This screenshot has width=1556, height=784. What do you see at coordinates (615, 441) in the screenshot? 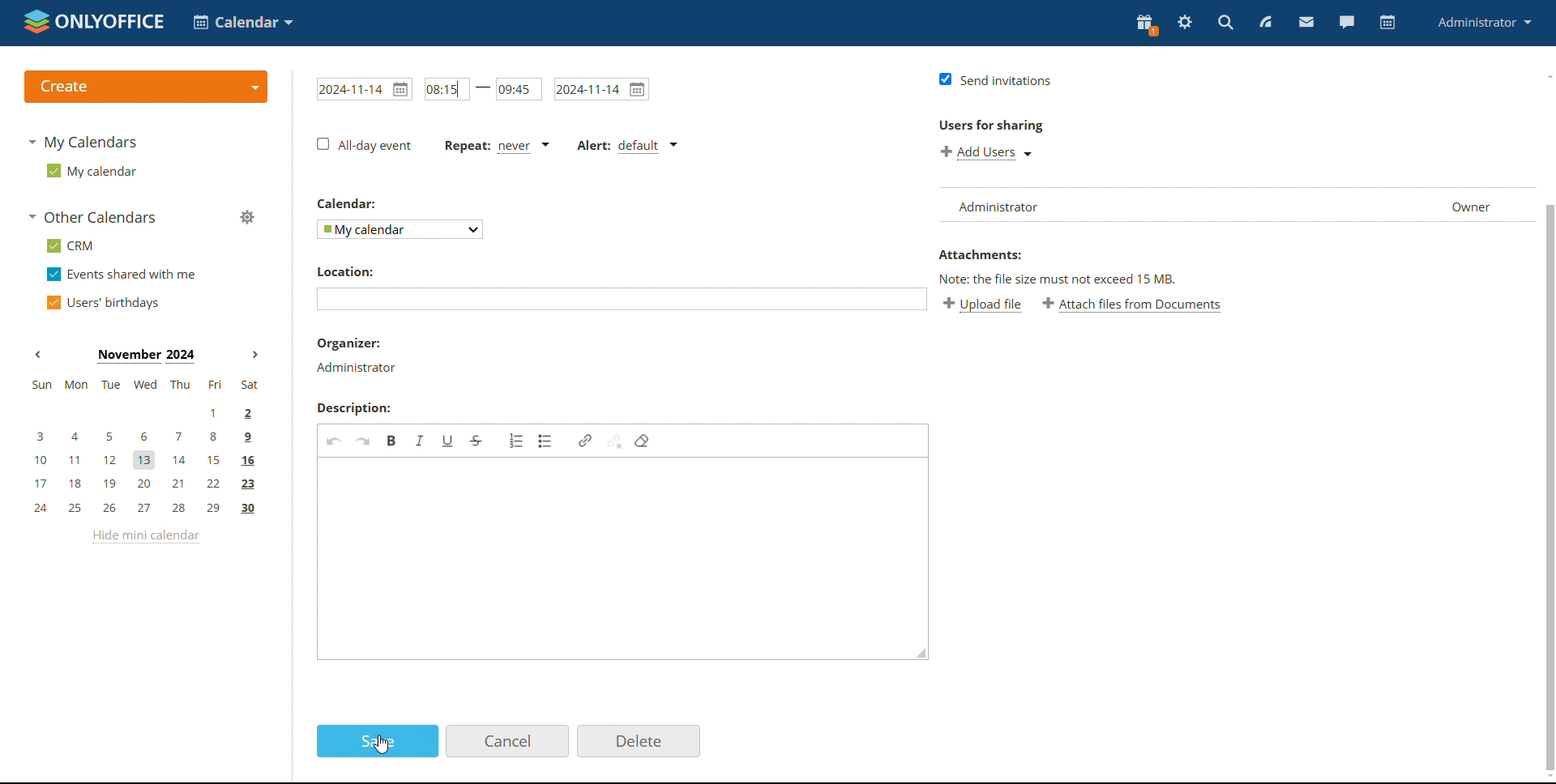
I see `Unlink` at bounding box center [615, 441].